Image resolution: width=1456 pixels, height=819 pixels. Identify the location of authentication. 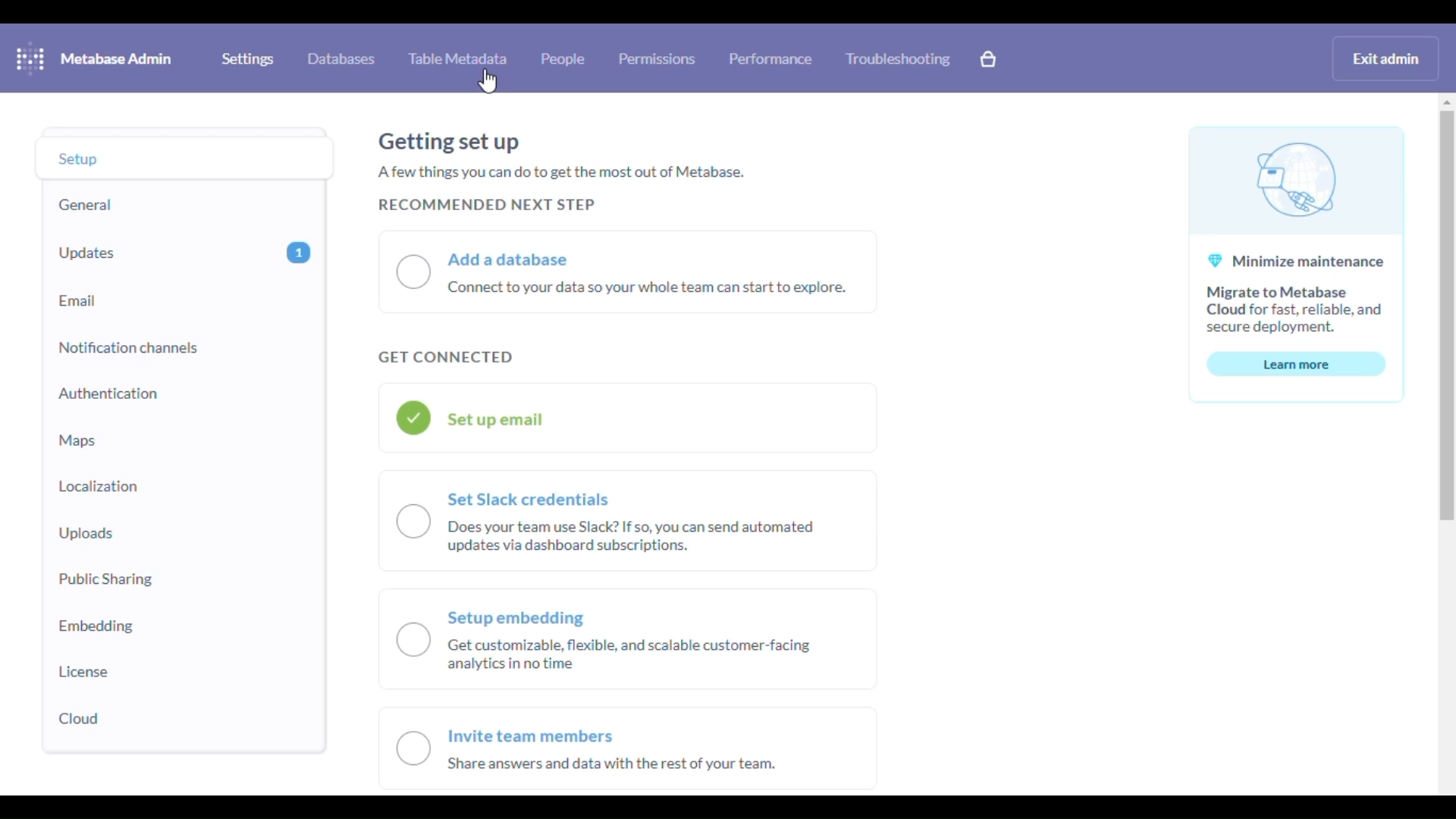
(109, 393).